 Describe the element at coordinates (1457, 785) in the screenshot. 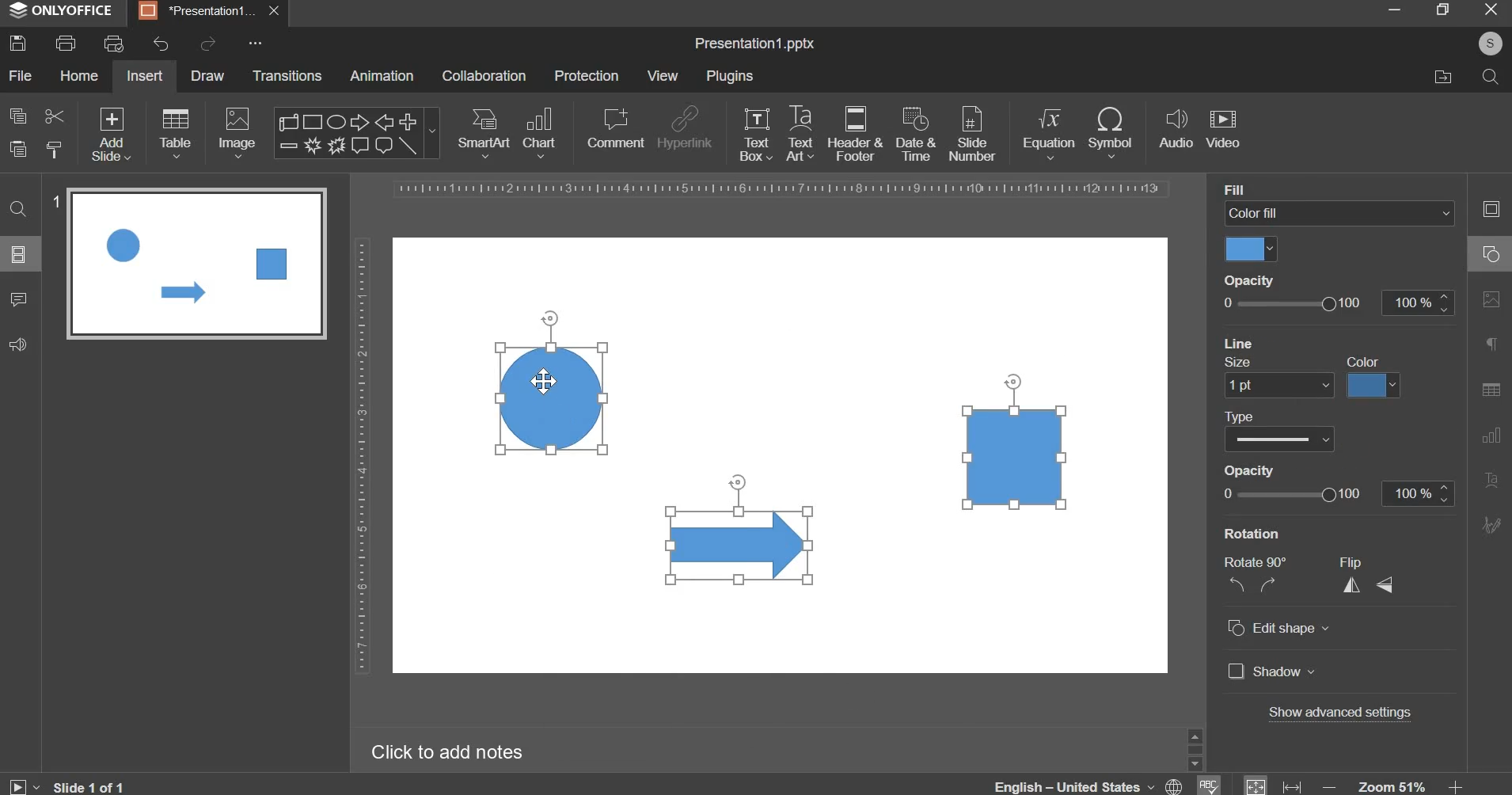

I see `increase zoom` at that location.